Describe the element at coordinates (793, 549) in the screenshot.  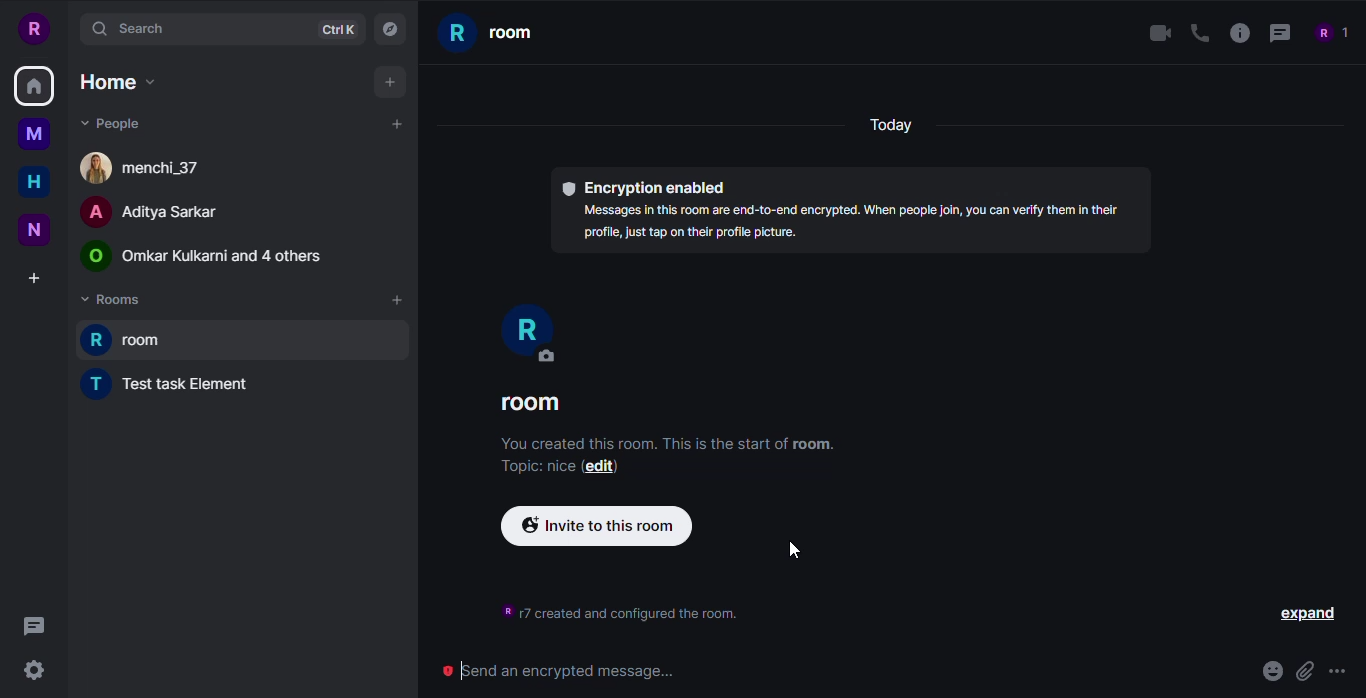
I see `cursor` at that location.